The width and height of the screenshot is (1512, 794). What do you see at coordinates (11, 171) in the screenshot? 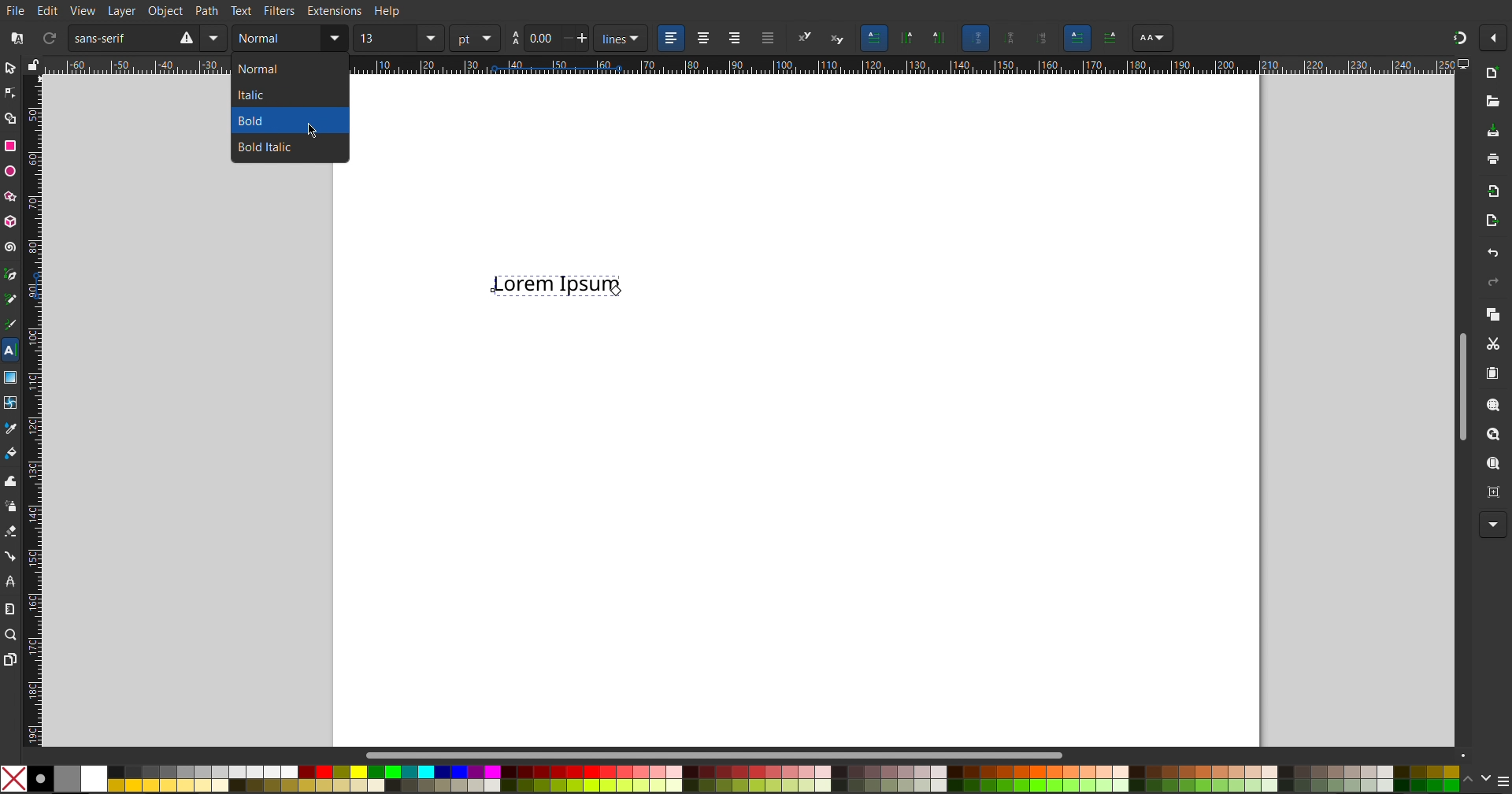
I see `Ellipse` at bounding box center [11, 171].